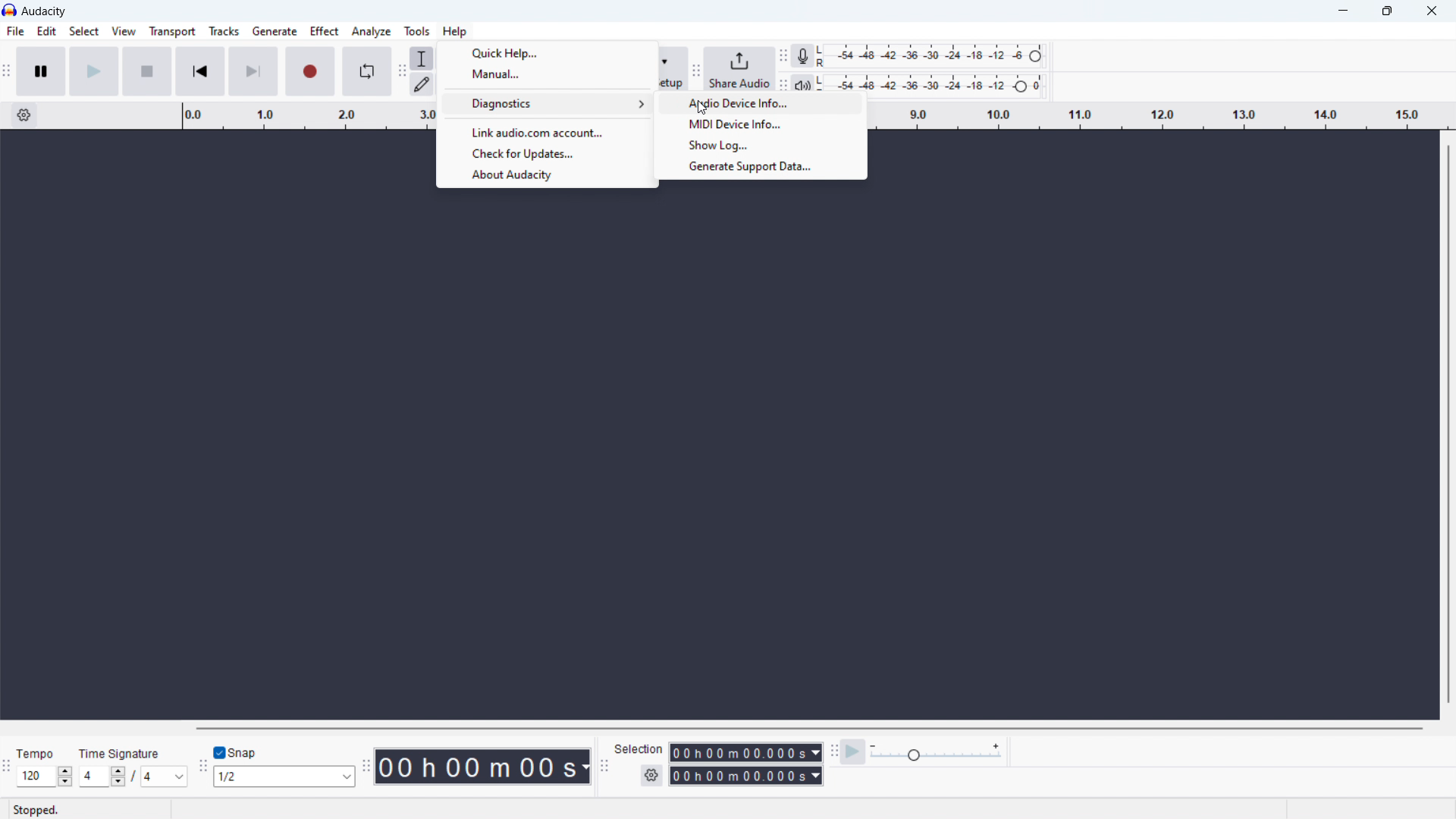  What do you see at coordinates (546, 176) in the screenshot?
I see `about audacity` at bounding box center [546, 176].